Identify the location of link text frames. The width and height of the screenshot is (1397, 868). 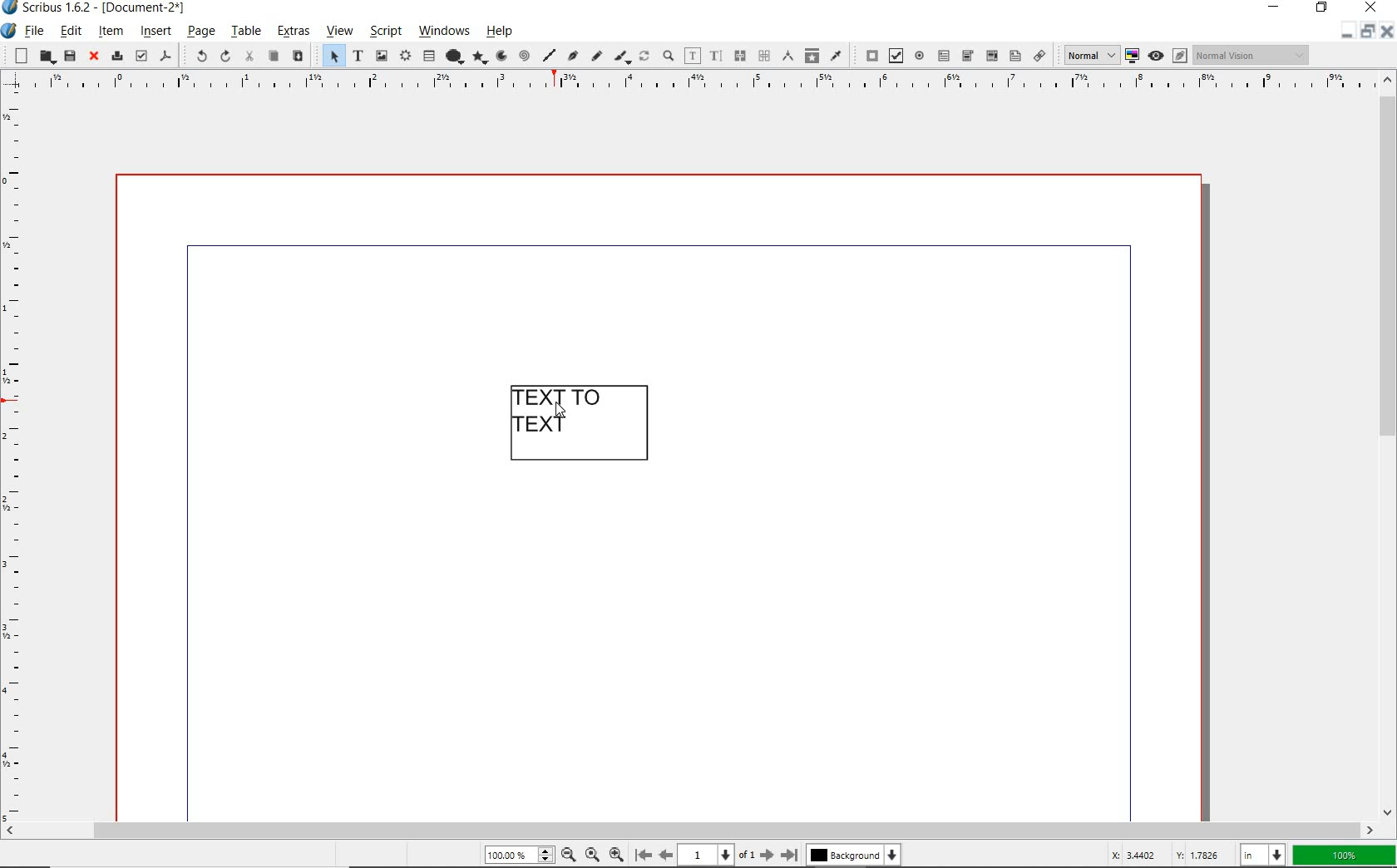
(740, 56).